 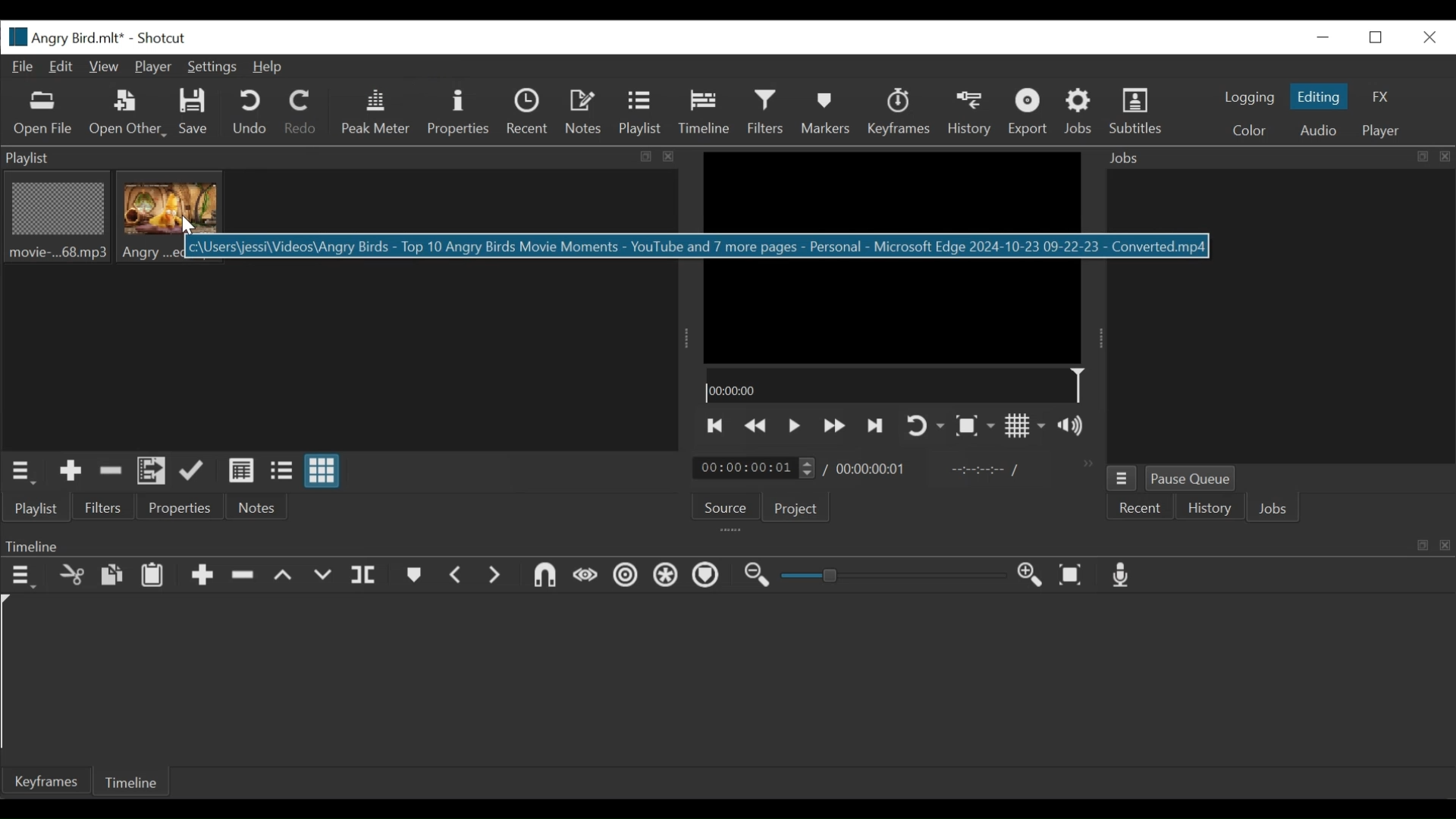 I want to click on Editing, so click(x=1319, y=96).